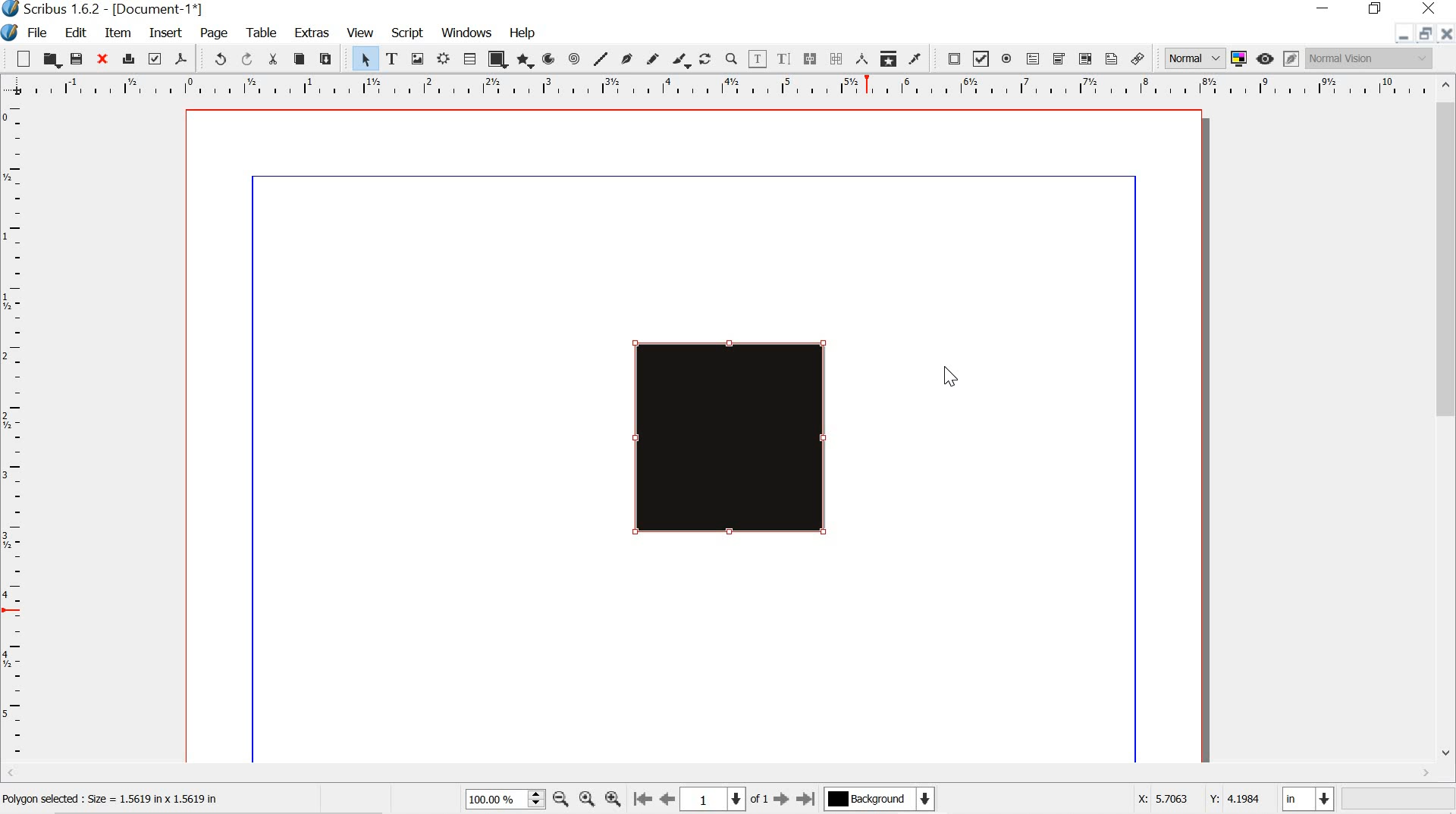 The width and height of the screenshot is (1456, 814). Describe the element at coordinates (1446, 36) in the screenshot. I see `close` at that location.